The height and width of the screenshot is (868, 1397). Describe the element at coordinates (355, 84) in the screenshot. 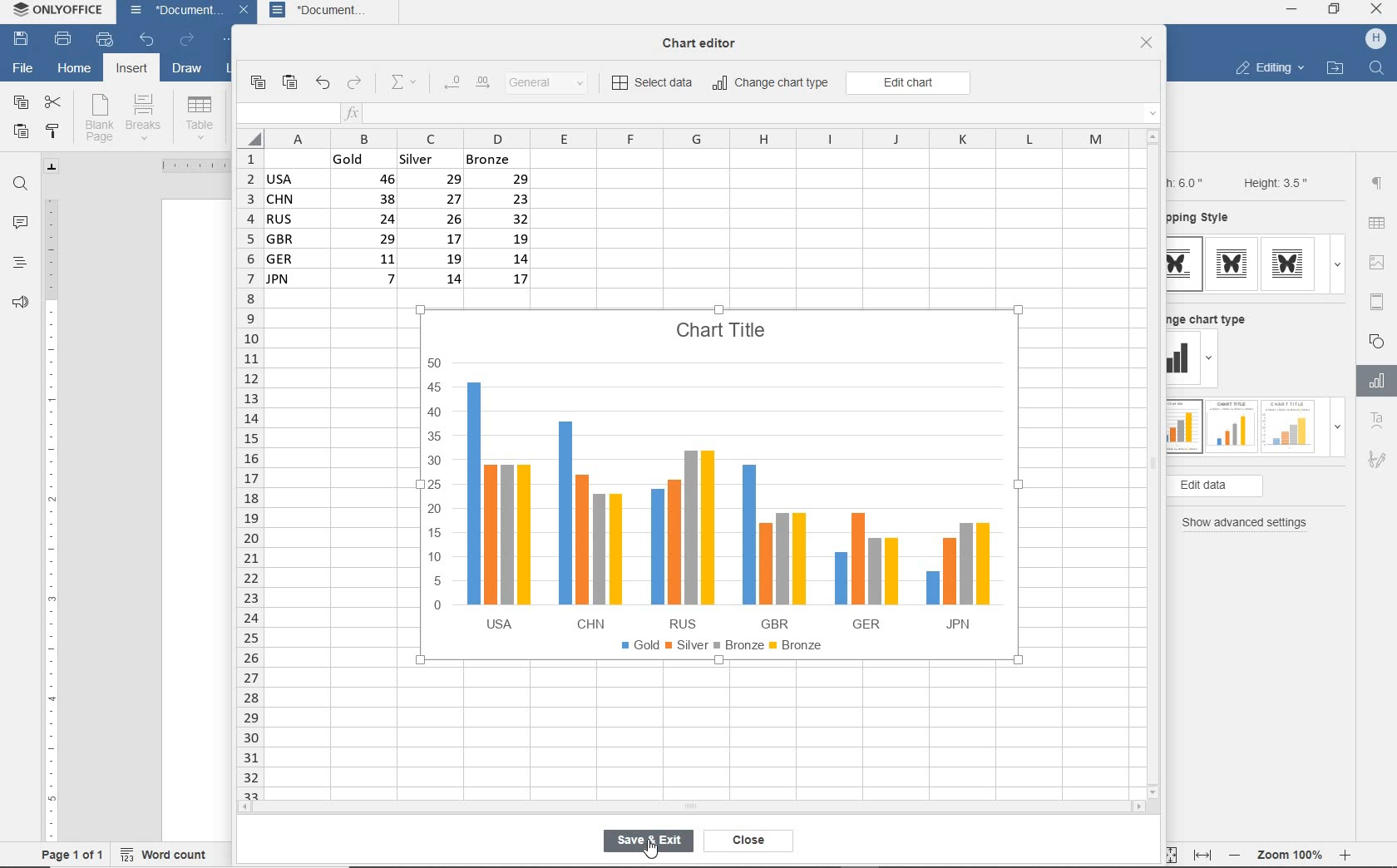

I see `redo ` at that location.